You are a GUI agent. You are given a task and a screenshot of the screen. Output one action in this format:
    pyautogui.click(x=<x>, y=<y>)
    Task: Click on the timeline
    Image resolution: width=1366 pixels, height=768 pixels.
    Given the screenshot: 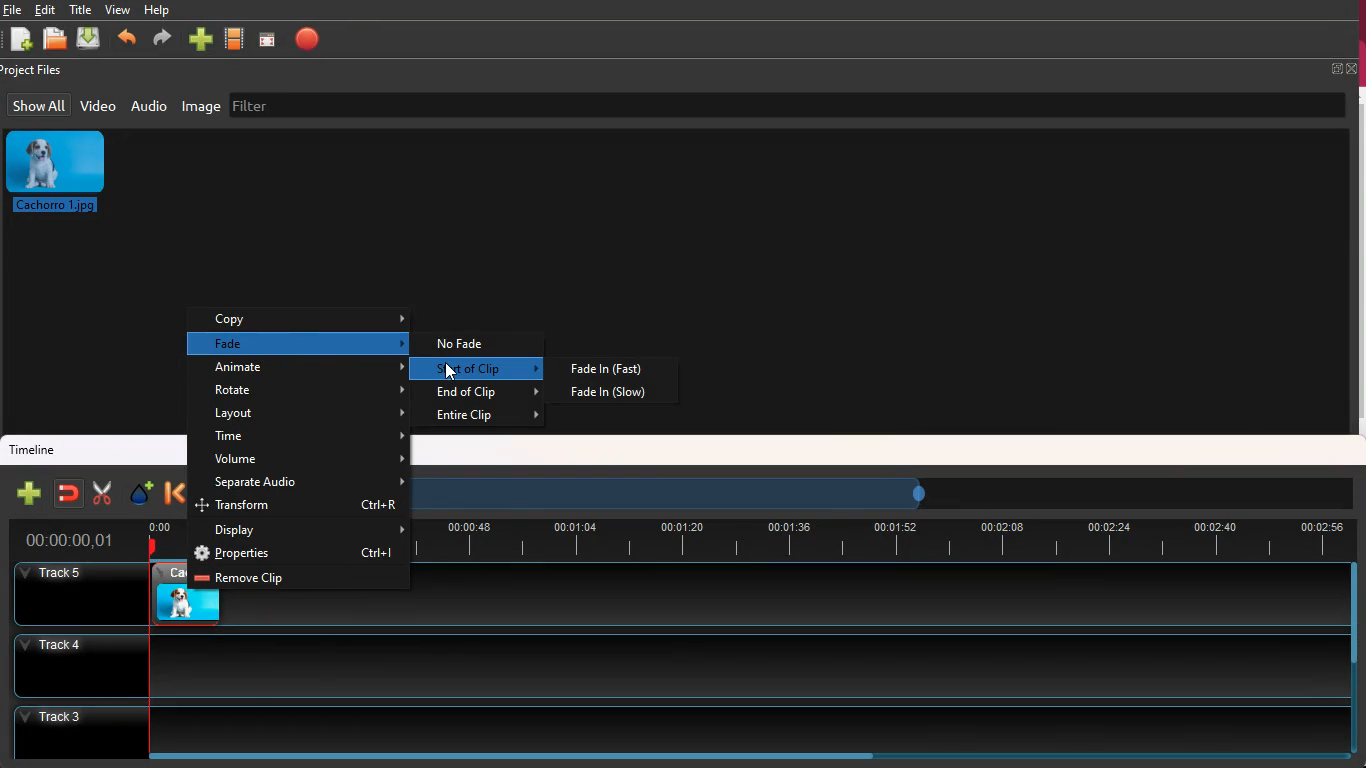 What is the action you would take?
    pyautogui.click(x=36, y=449)
    